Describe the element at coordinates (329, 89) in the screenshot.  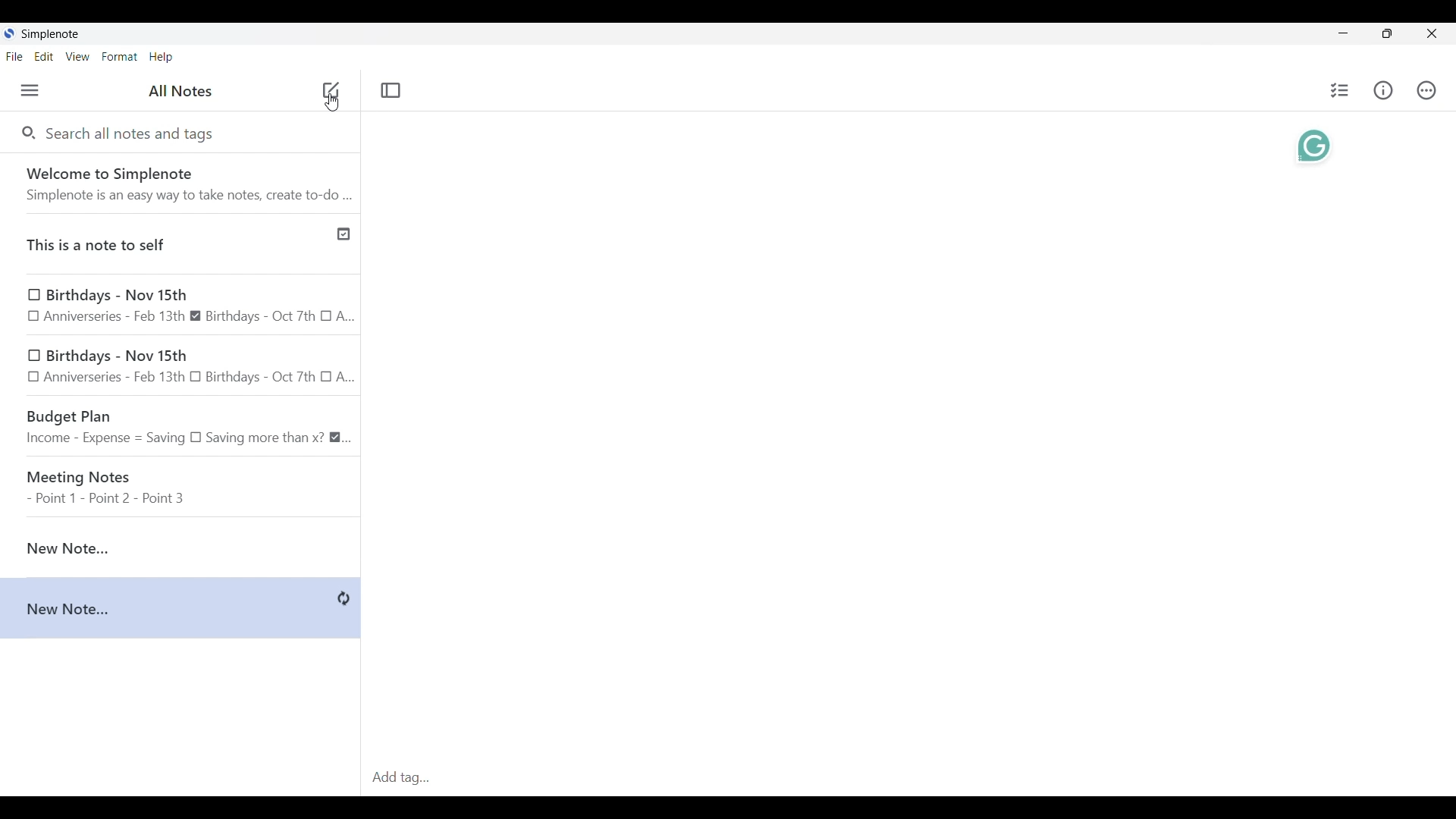
I see `cursor` at that location.